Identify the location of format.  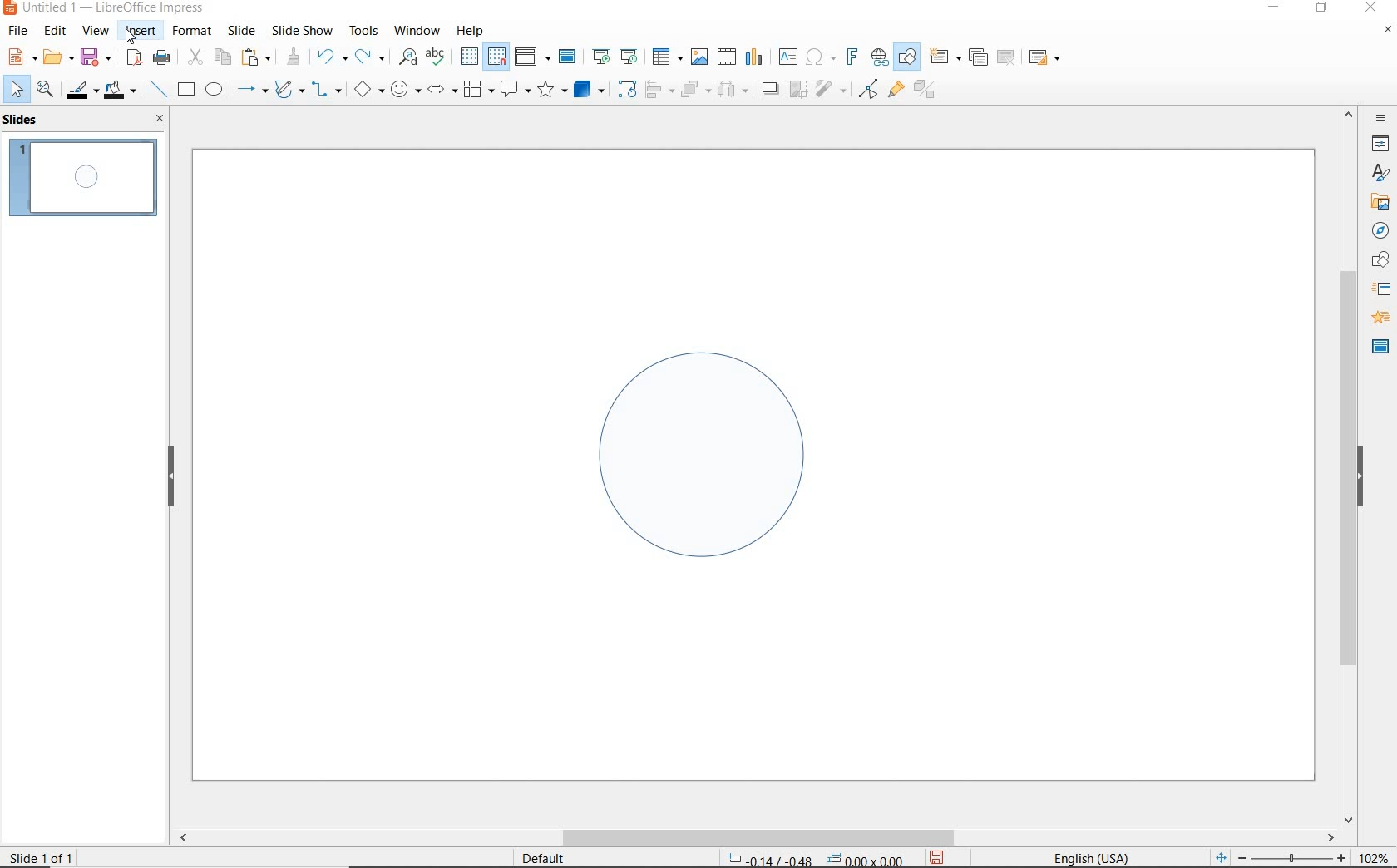
(190, 30).